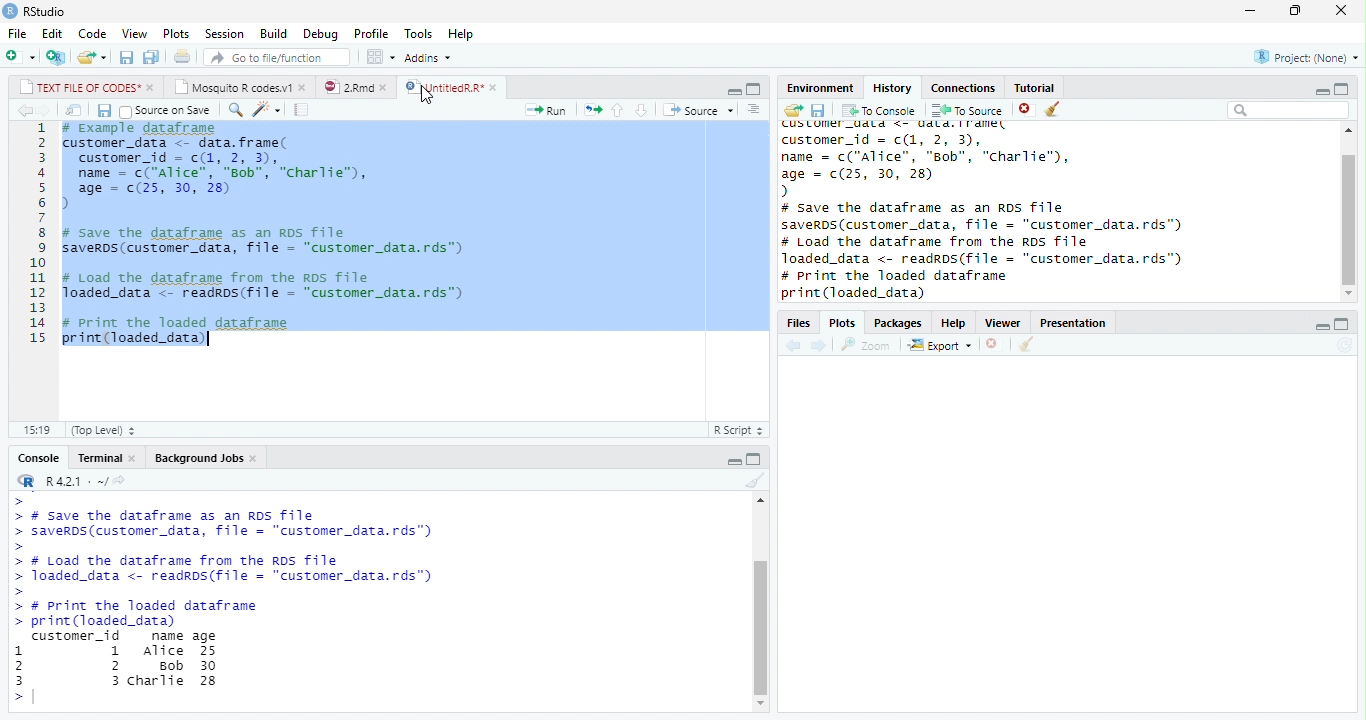 This screenshot has height=720, width=1366. I want to click on age, so click(206, 637).